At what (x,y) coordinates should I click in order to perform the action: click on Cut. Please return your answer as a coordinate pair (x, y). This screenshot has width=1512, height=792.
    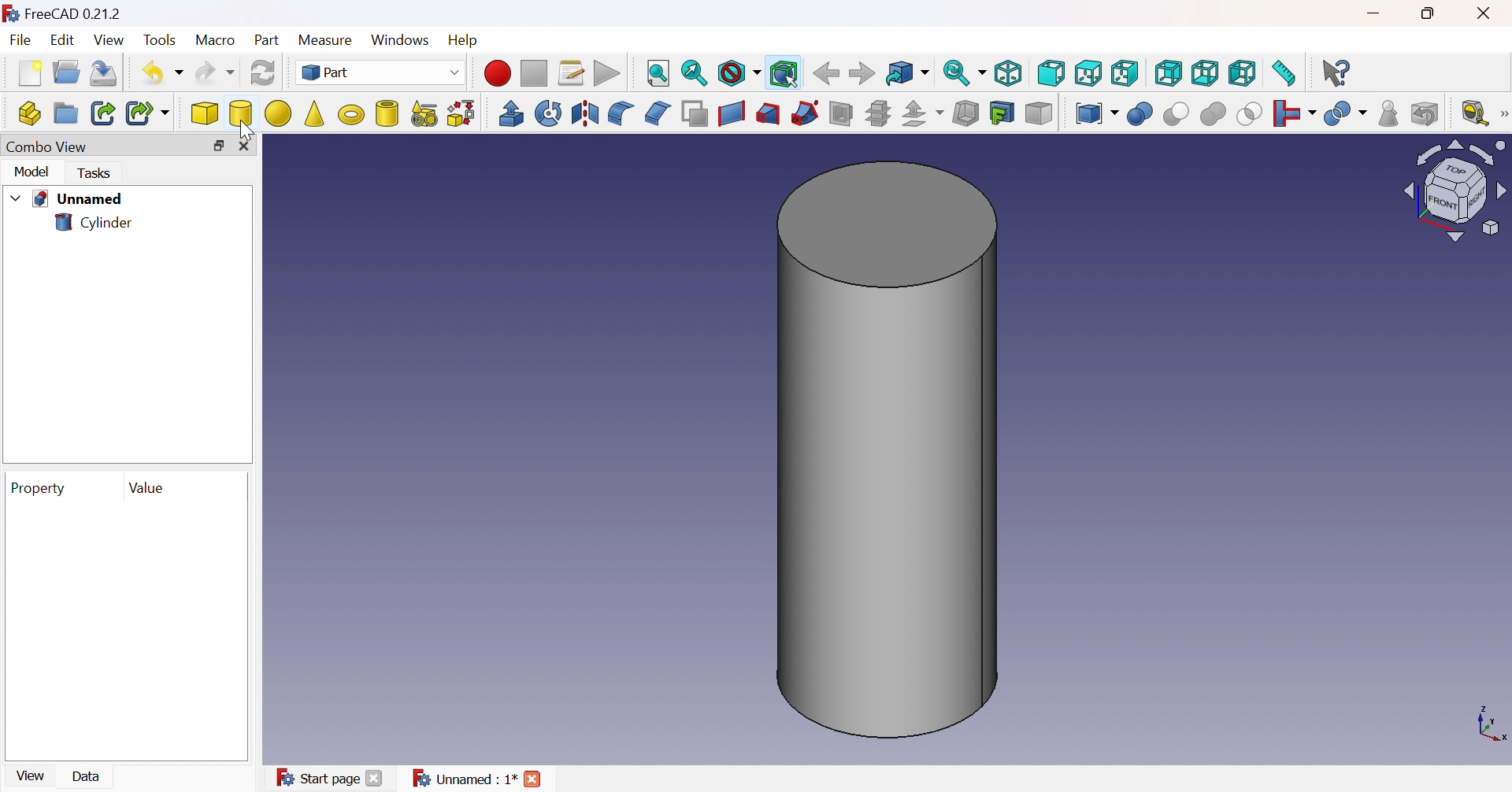
    Looking at the image, I should click on (1176, 115).